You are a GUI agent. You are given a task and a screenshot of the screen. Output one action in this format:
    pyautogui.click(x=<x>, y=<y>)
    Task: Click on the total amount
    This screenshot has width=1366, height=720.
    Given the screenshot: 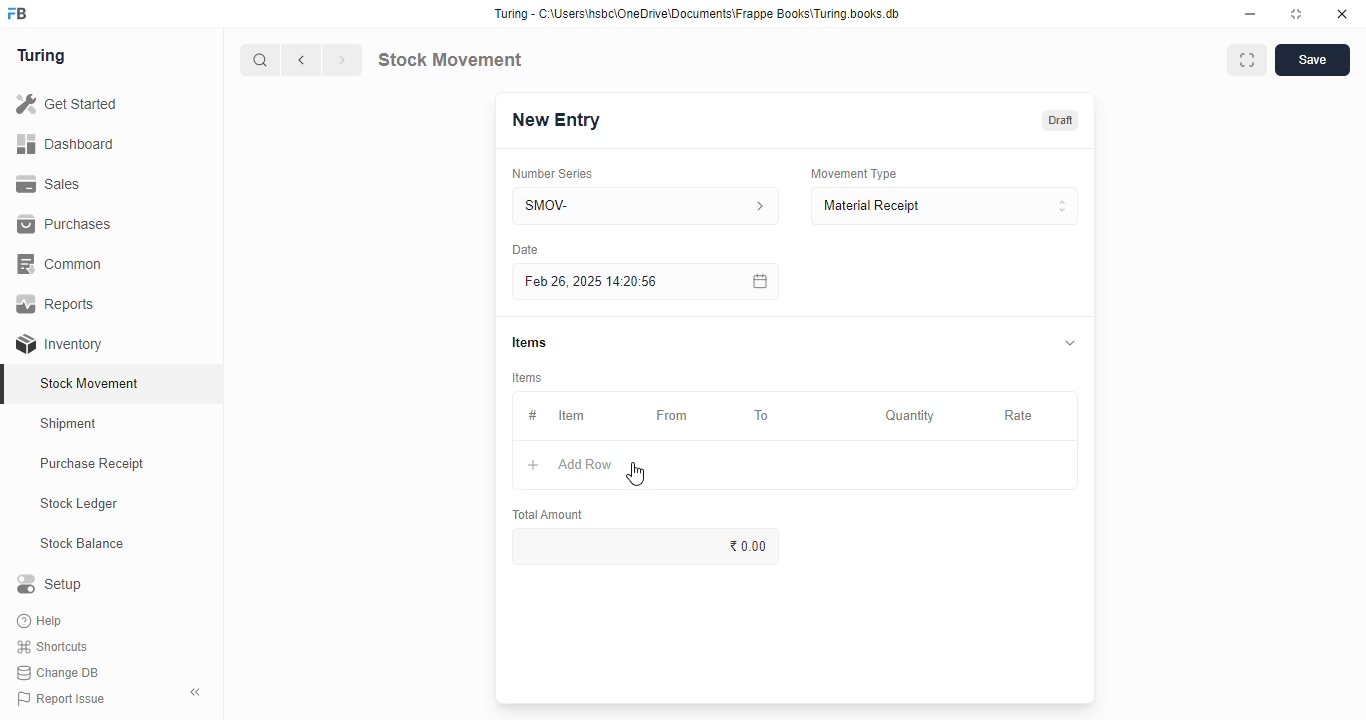 What is the action you would take?
    pyautogui.click(x=549, y=514)
    